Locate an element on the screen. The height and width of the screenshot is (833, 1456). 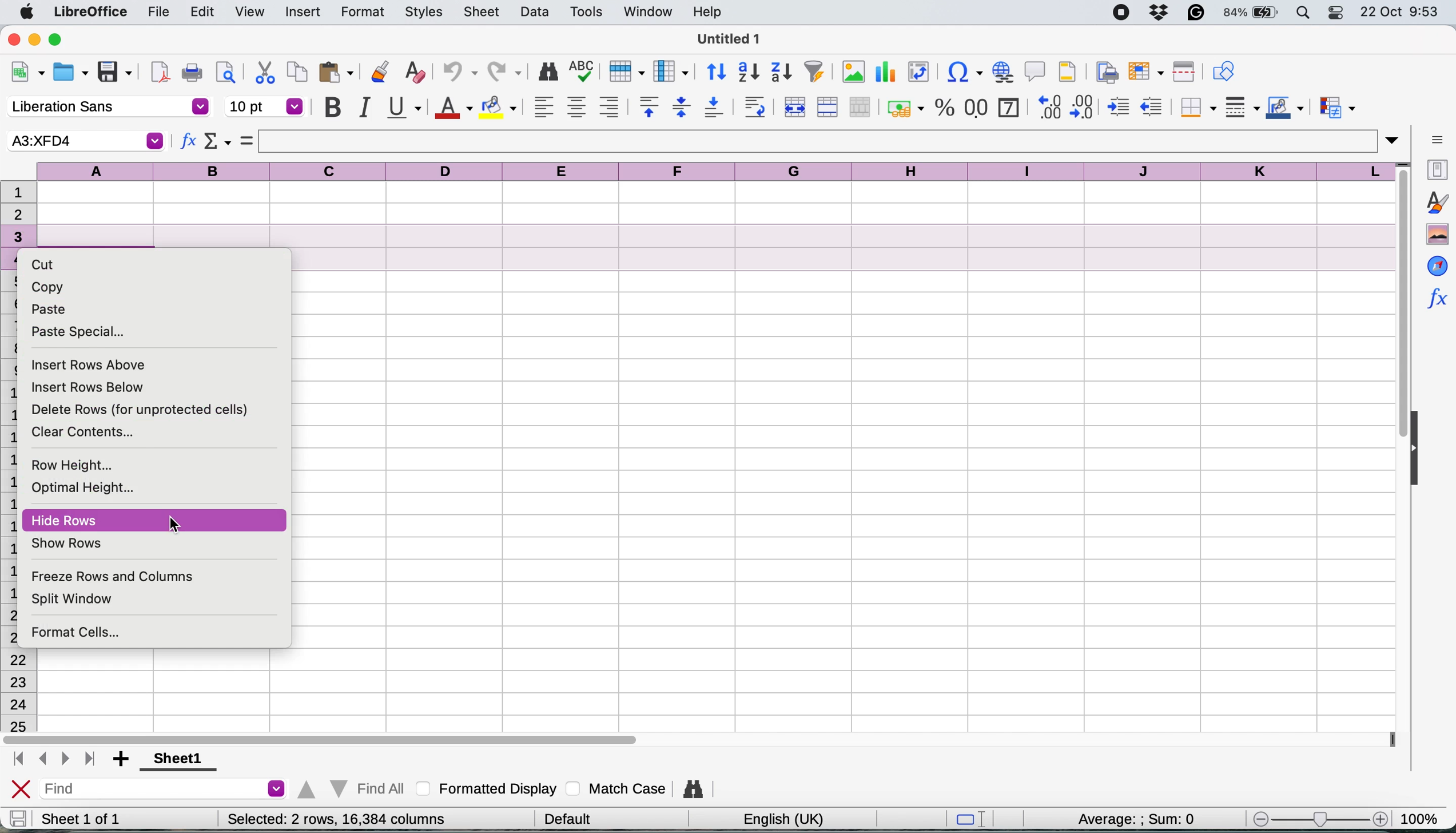
fill colour is located at coordinates (501, 108).